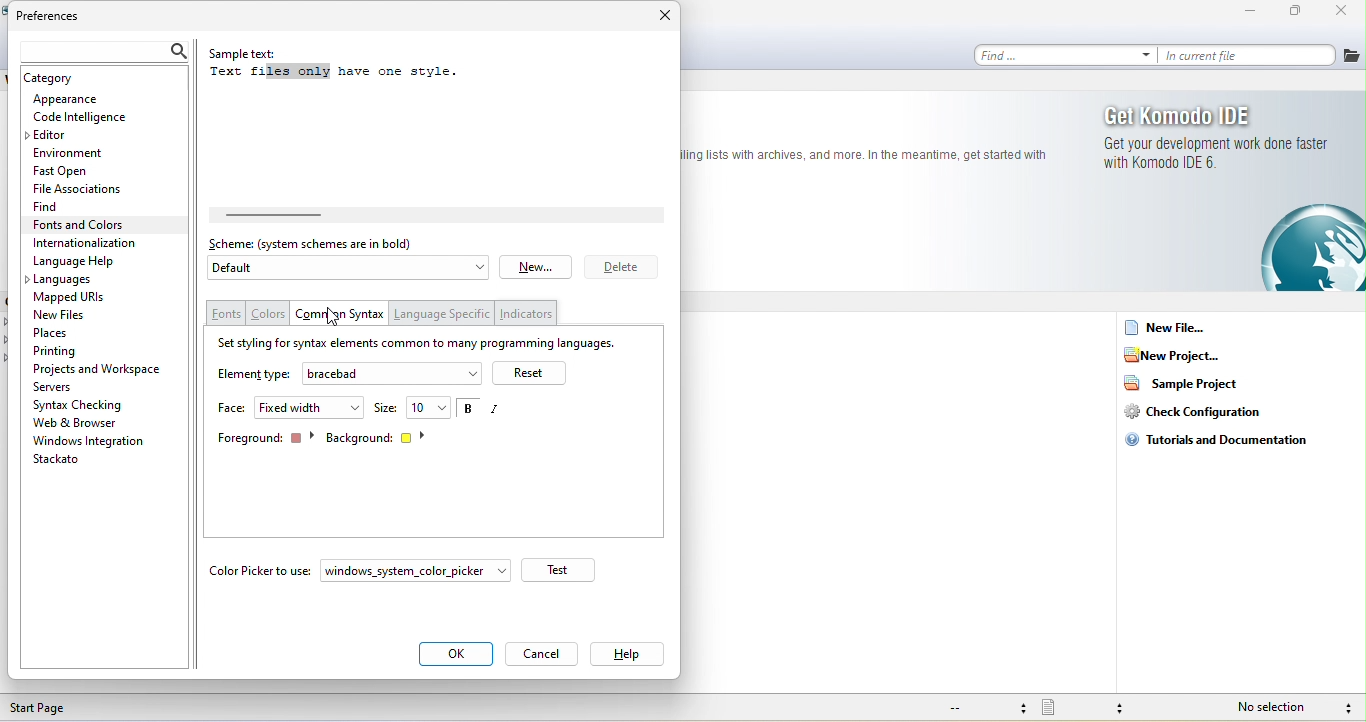  I want to click on catagory, so click(64, 78).